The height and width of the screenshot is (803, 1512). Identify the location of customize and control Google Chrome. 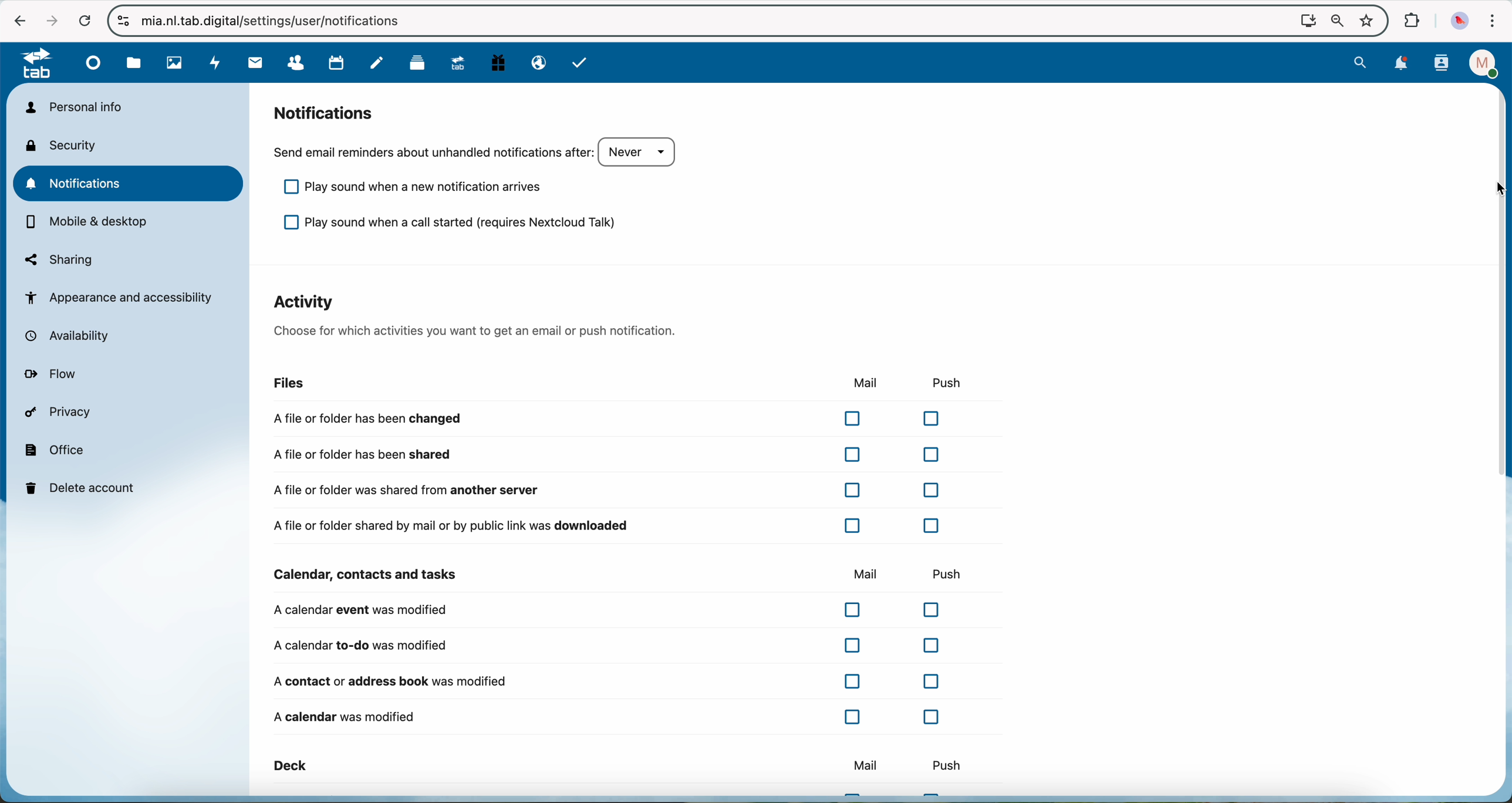
(1494, 21).